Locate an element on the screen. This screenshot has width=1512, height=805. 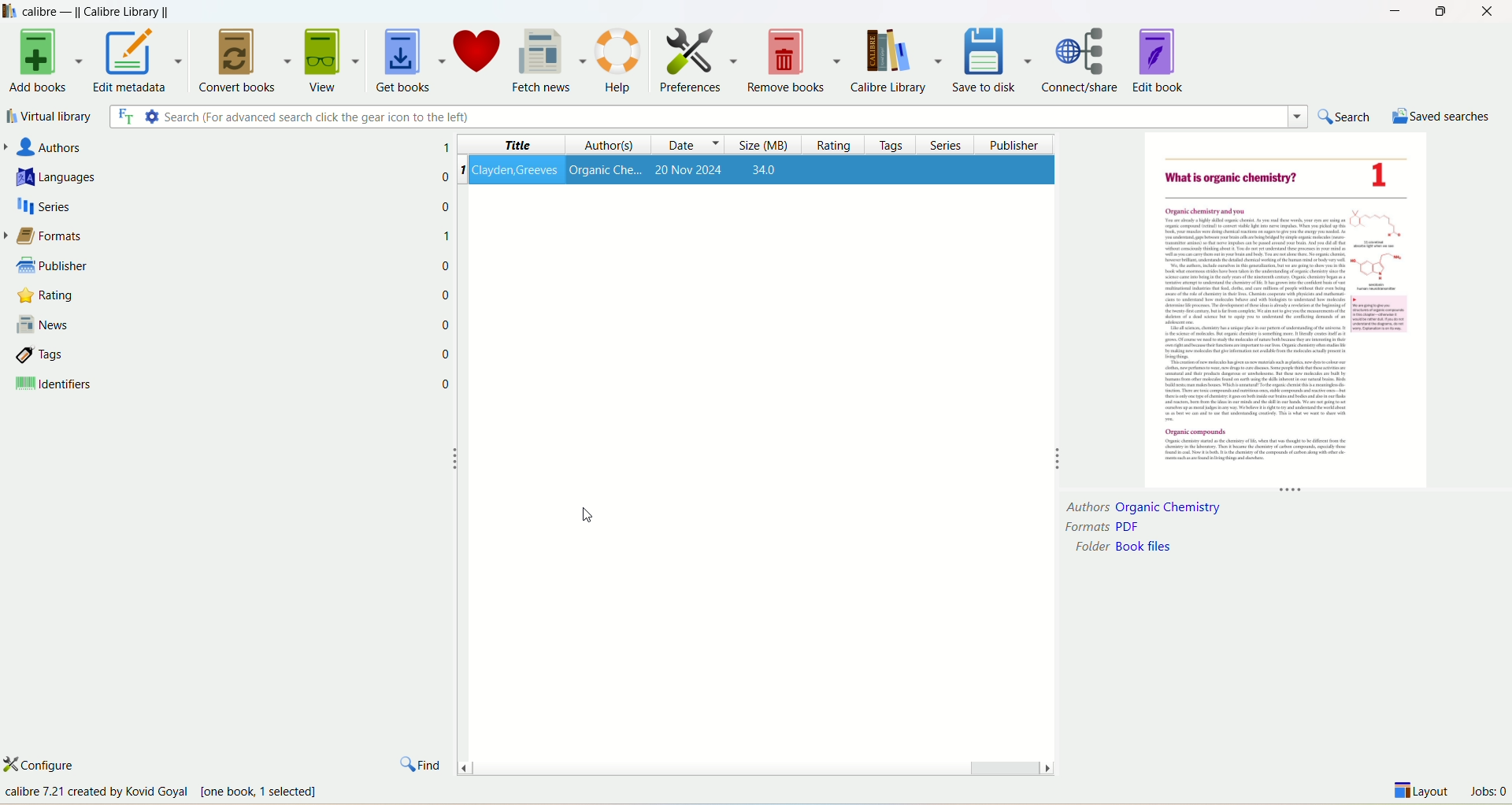
title is located at coordinates (504, 146).